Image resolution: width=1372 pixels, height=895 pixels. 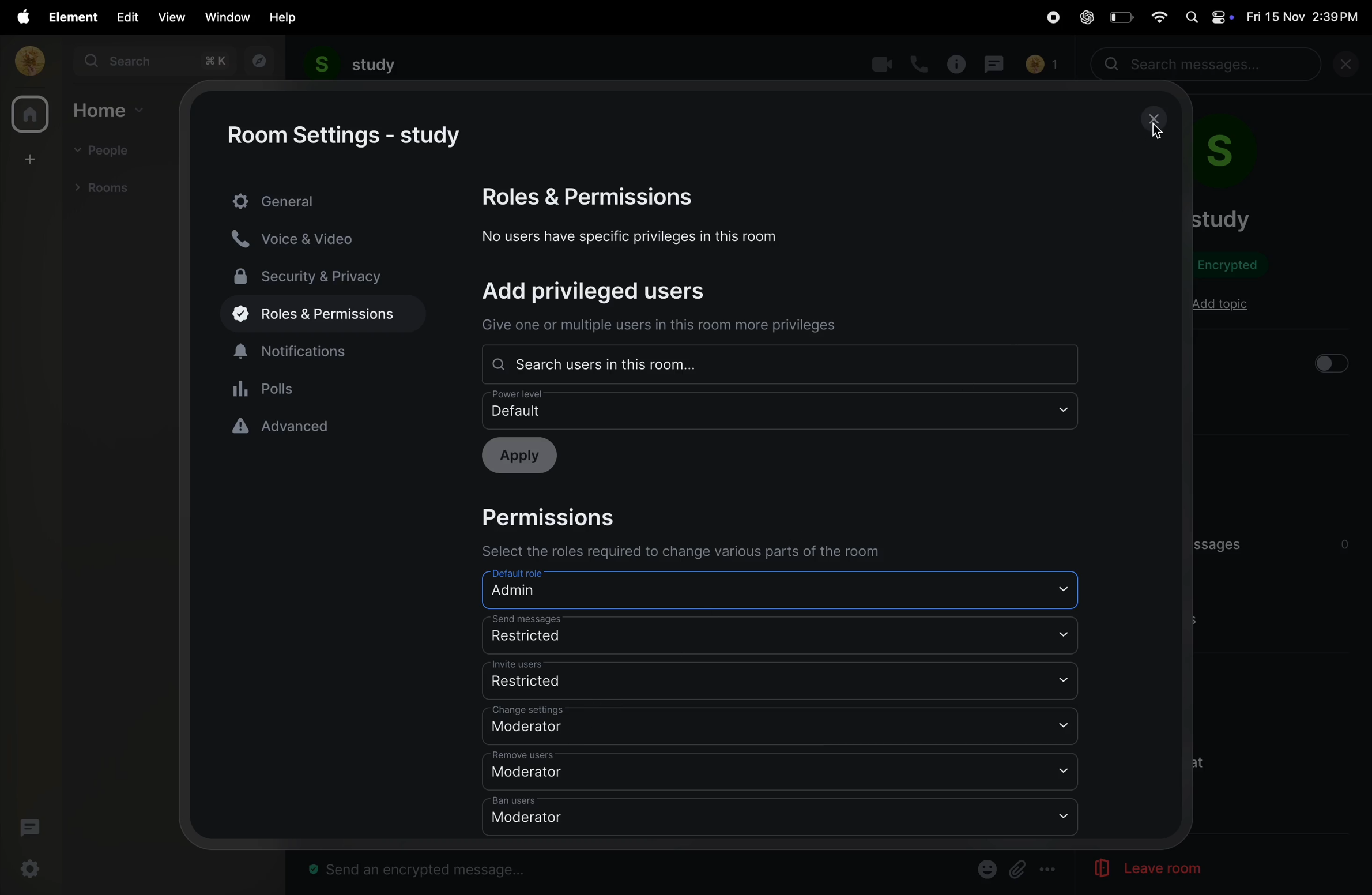 I want to click on messages, so click(x=997, y=62).